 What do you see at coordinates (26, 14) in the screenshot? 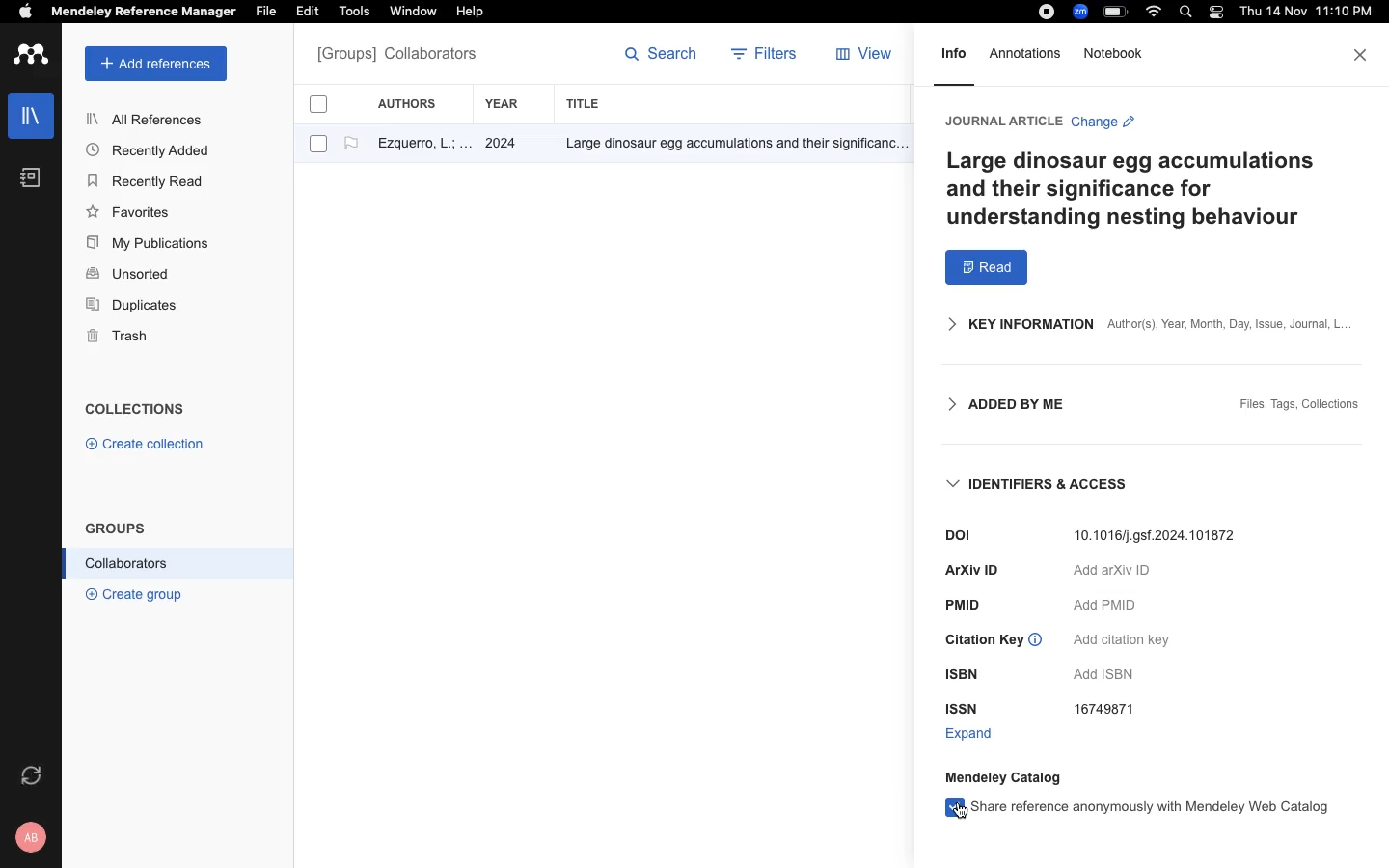
I see `apple logo` at bounding box center [26, 14].